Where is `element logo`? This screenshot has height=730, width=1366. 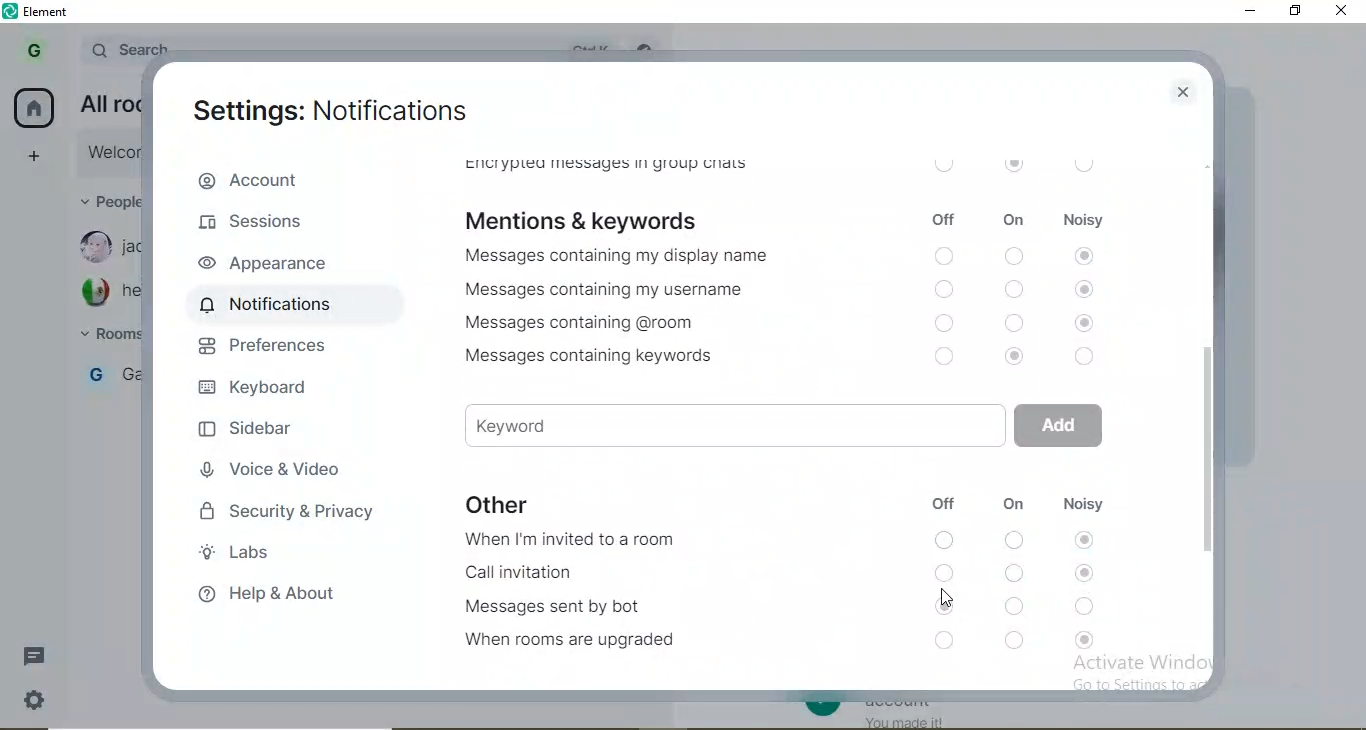
element logo is located at coordinates (11, 12).